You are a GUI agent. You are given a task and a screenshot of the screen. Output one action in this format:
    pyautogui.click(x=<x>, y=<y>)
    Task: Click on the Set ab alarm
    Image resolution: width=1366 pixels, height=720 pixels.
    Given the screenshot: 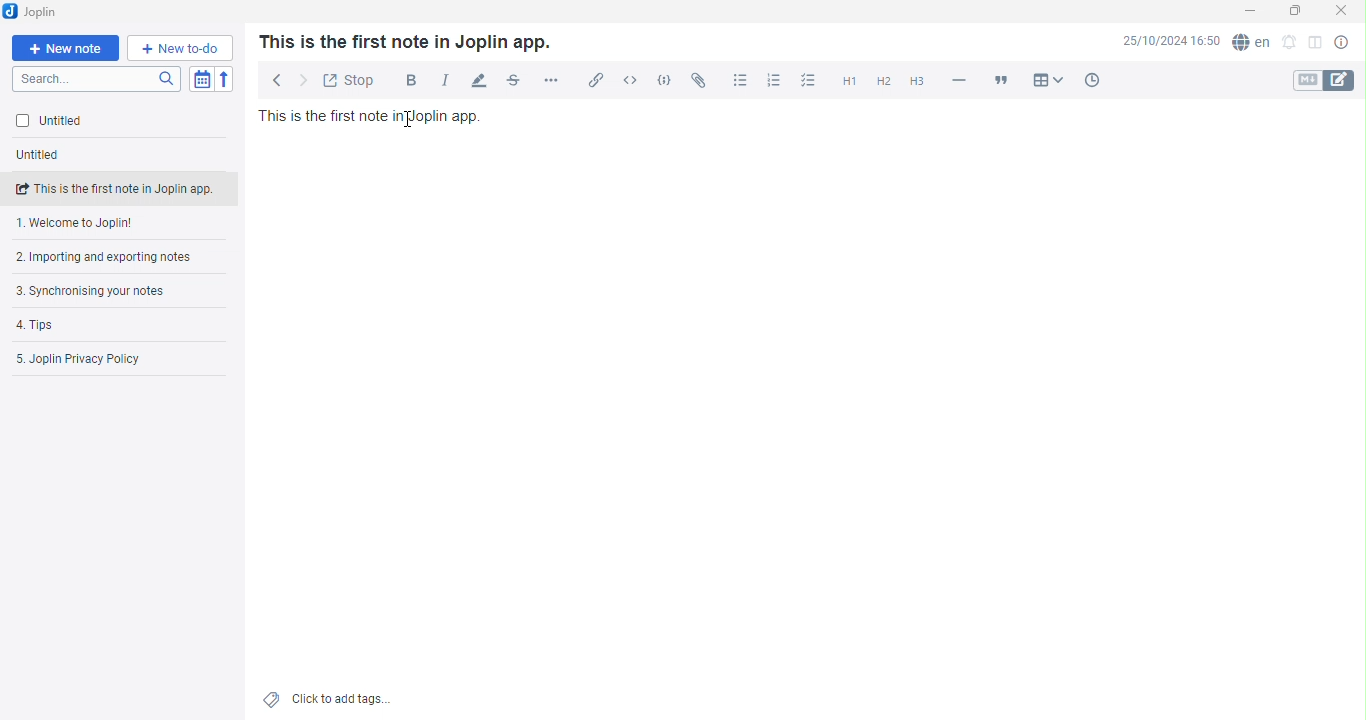 What is the action you would take?
    pyautogui.click(x=1288, y=44)
    